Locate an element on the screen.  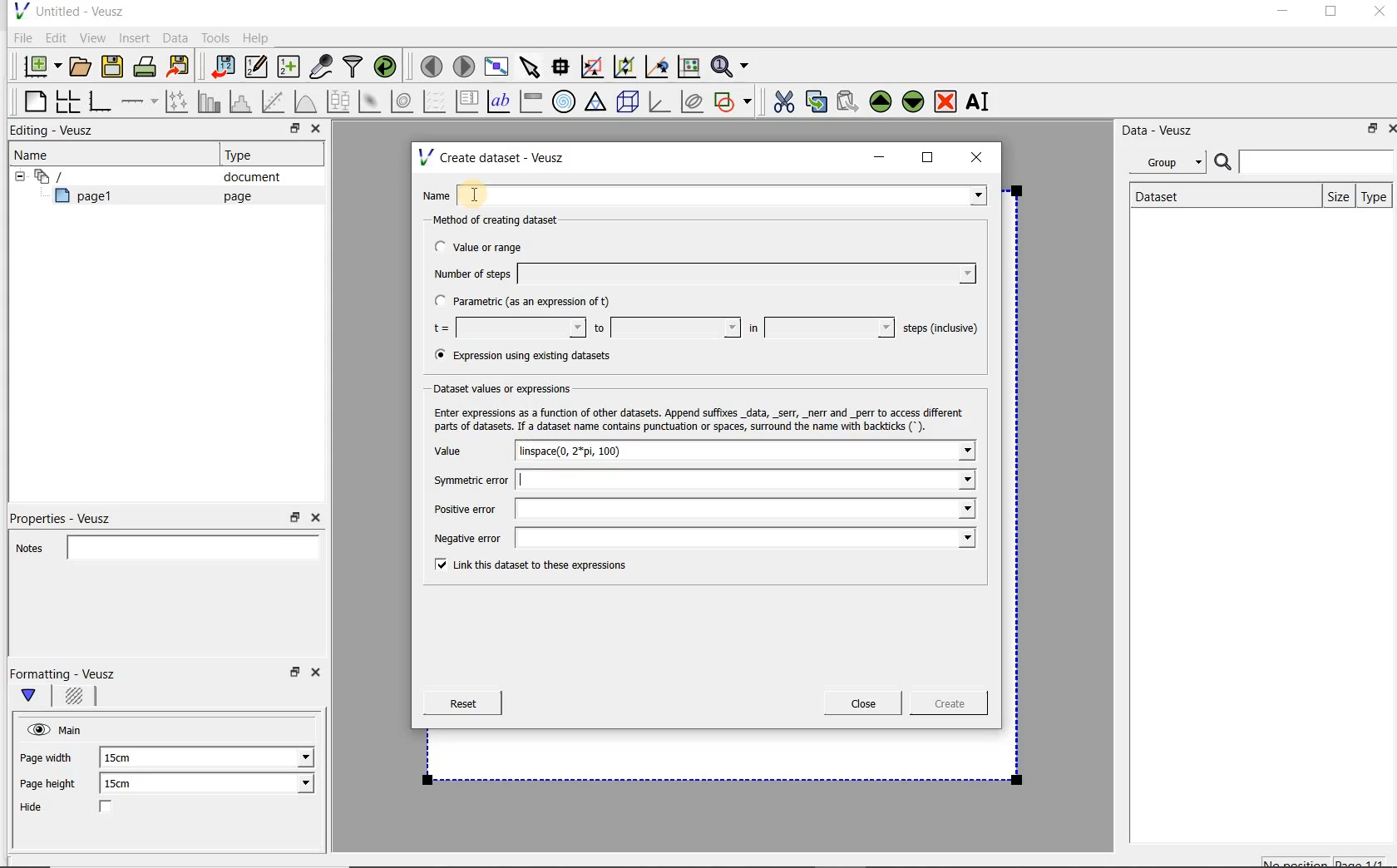
Tools is located at coordinates (214, 38).